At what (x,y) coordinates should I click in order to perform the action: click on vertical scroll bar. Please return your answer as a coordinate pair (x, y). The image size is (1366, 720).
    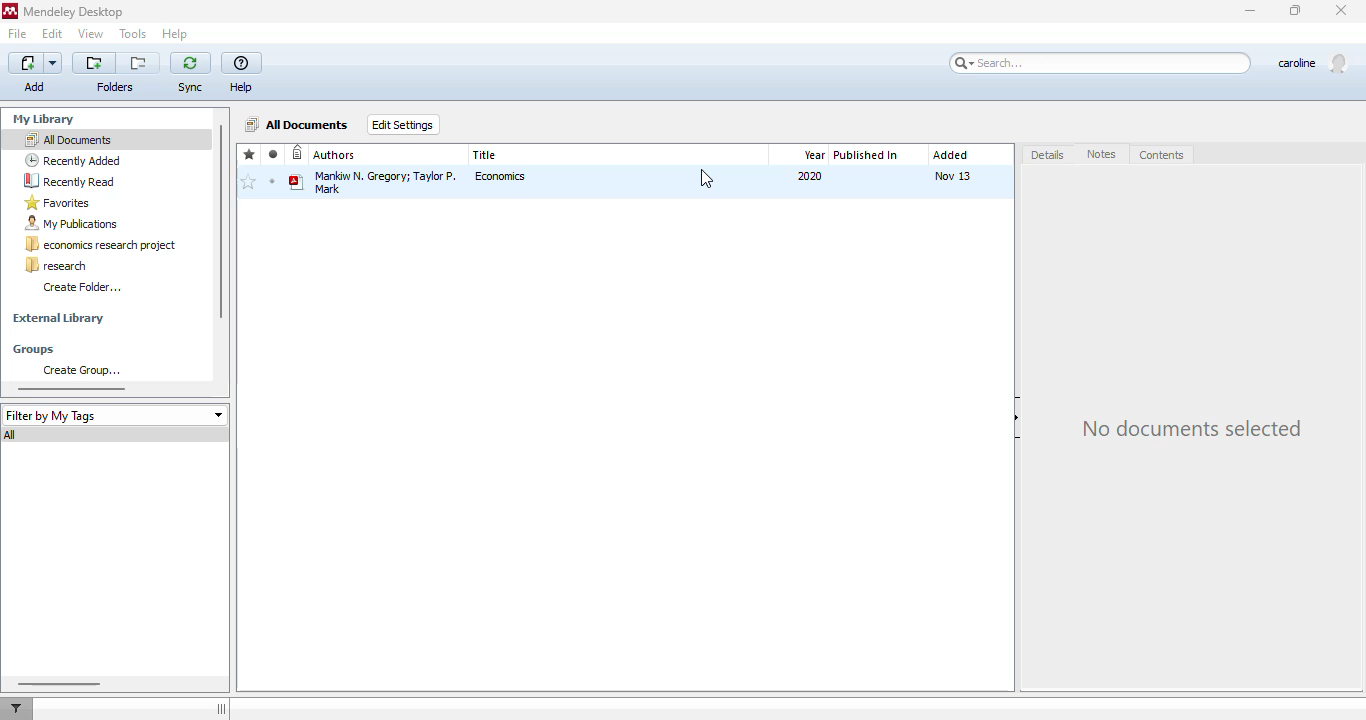
    Looking at the image, I should click on (220, 222).